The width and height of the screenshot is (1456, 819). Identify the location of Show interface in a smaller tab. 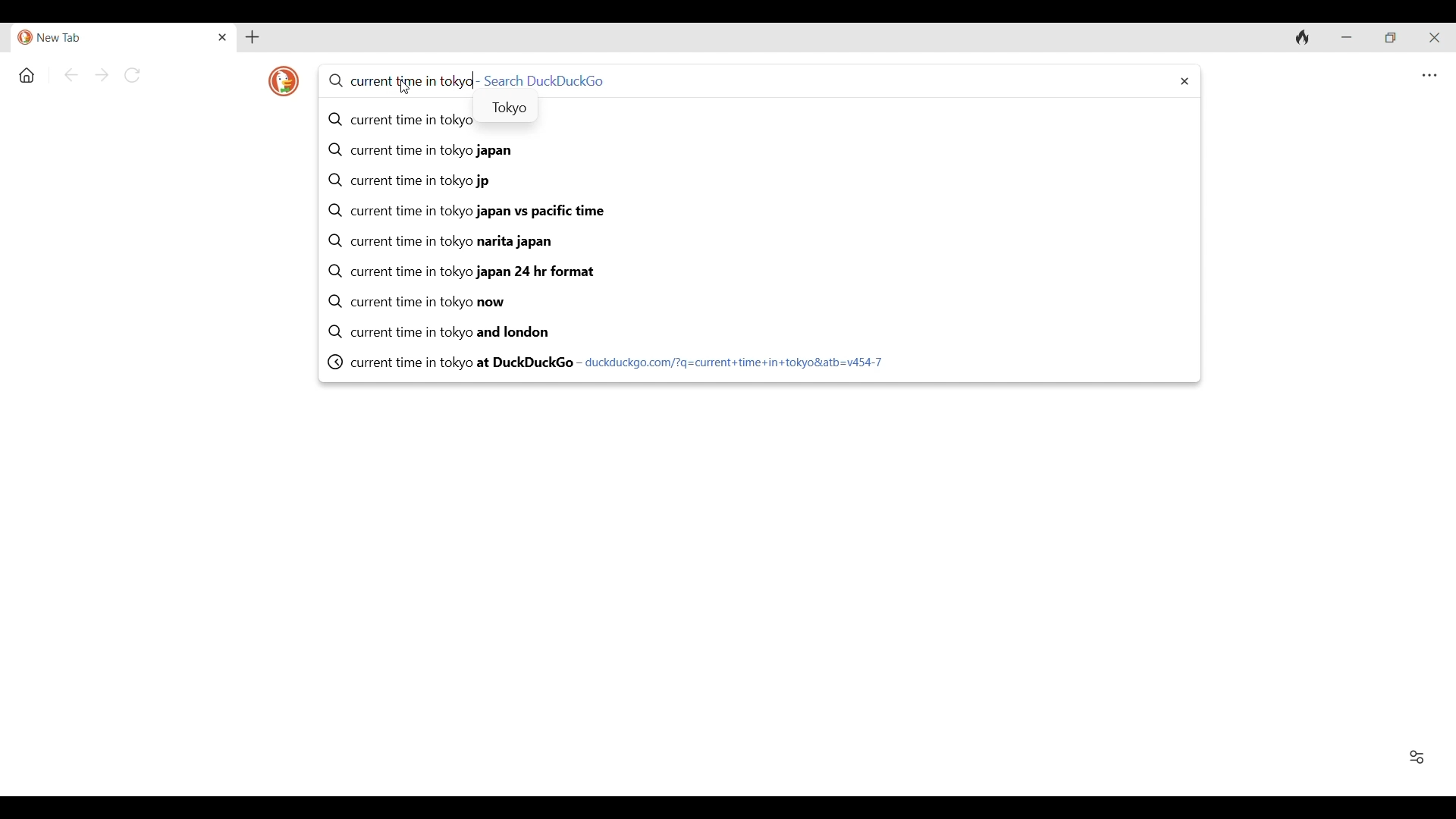
(1391, 38).